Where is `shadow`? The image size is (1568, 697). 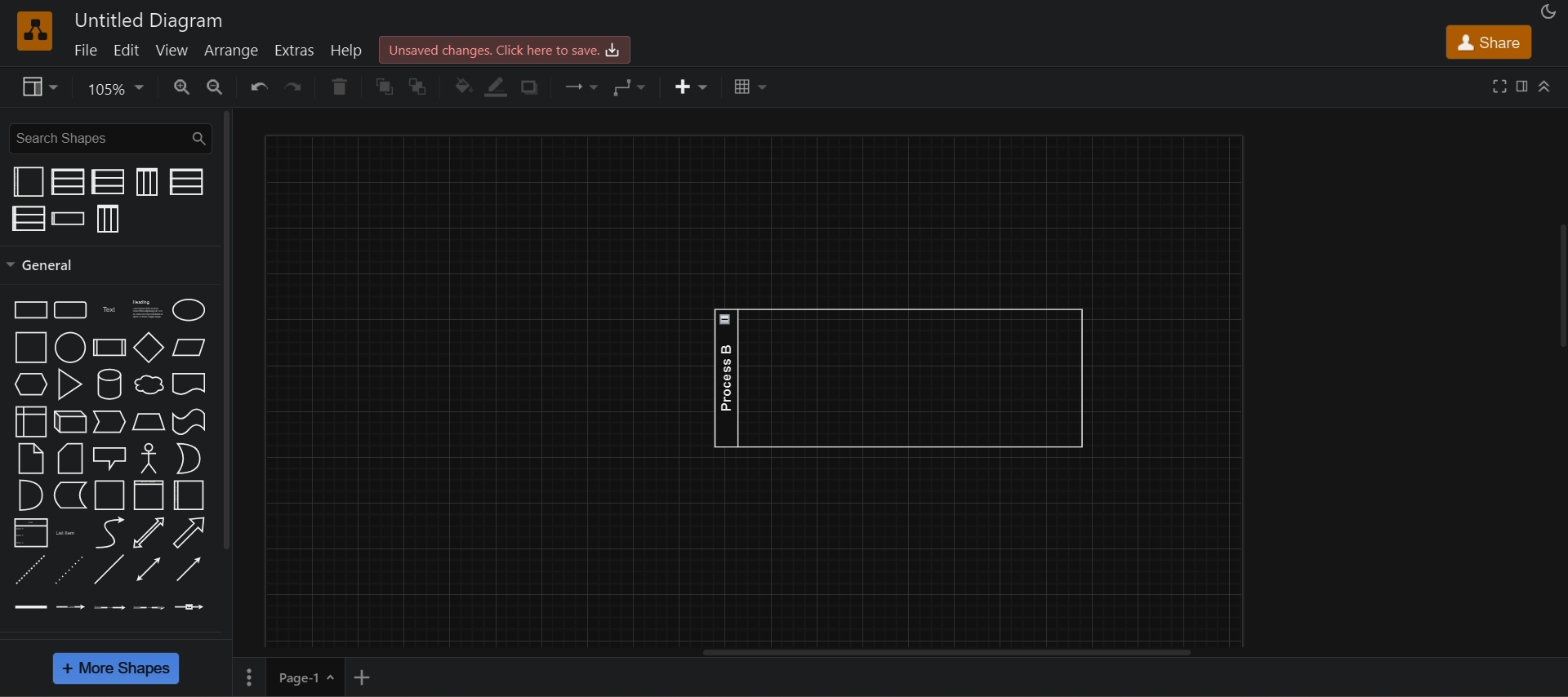 shadow is located at coordinates (535, 89).